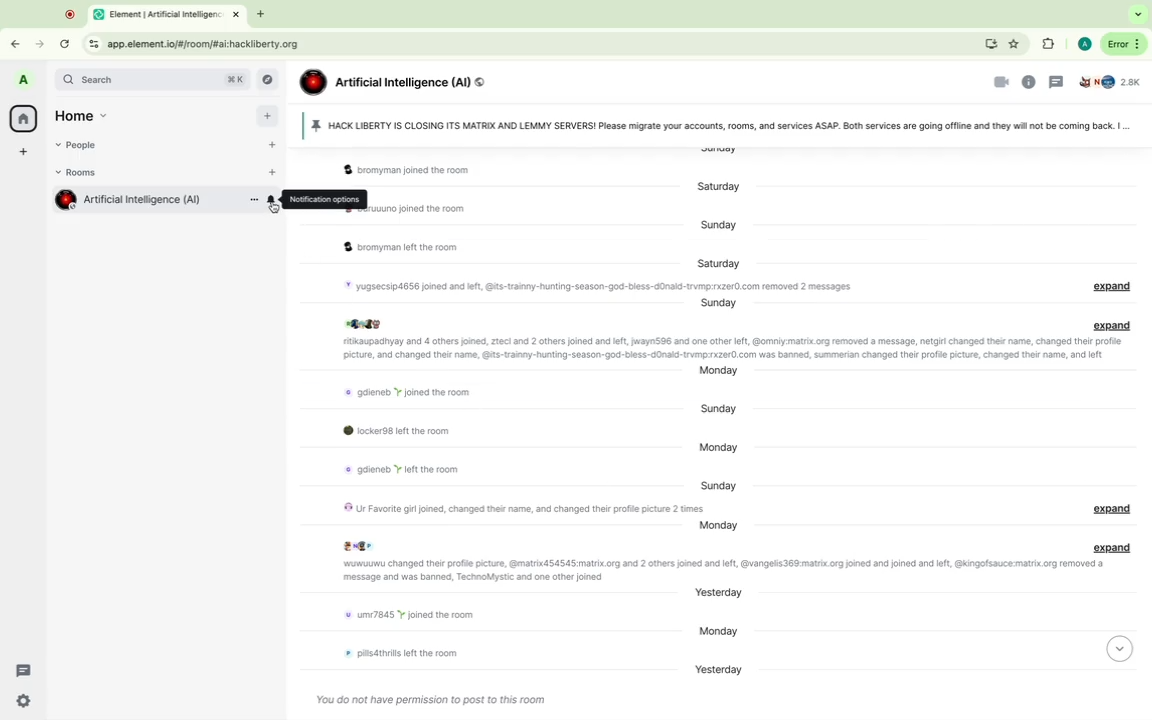 The height and width of the screenshot is (720, 1152). What do you see at coordinates (360, 545) in the screenshot?
I see `profile pictures` at bounding box center [360, 545].